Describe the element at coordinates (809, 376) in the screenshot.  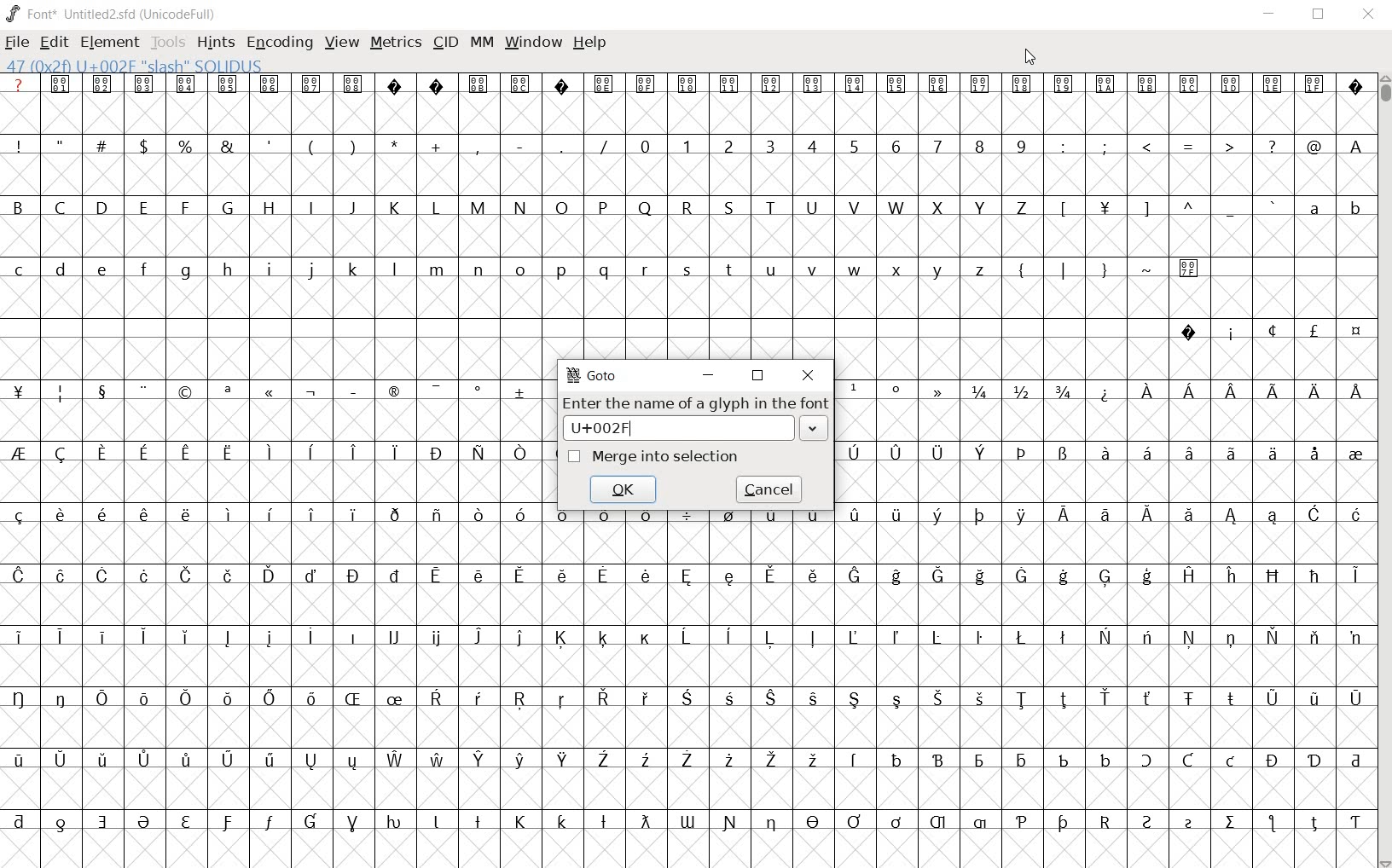
I see `close` at that location.